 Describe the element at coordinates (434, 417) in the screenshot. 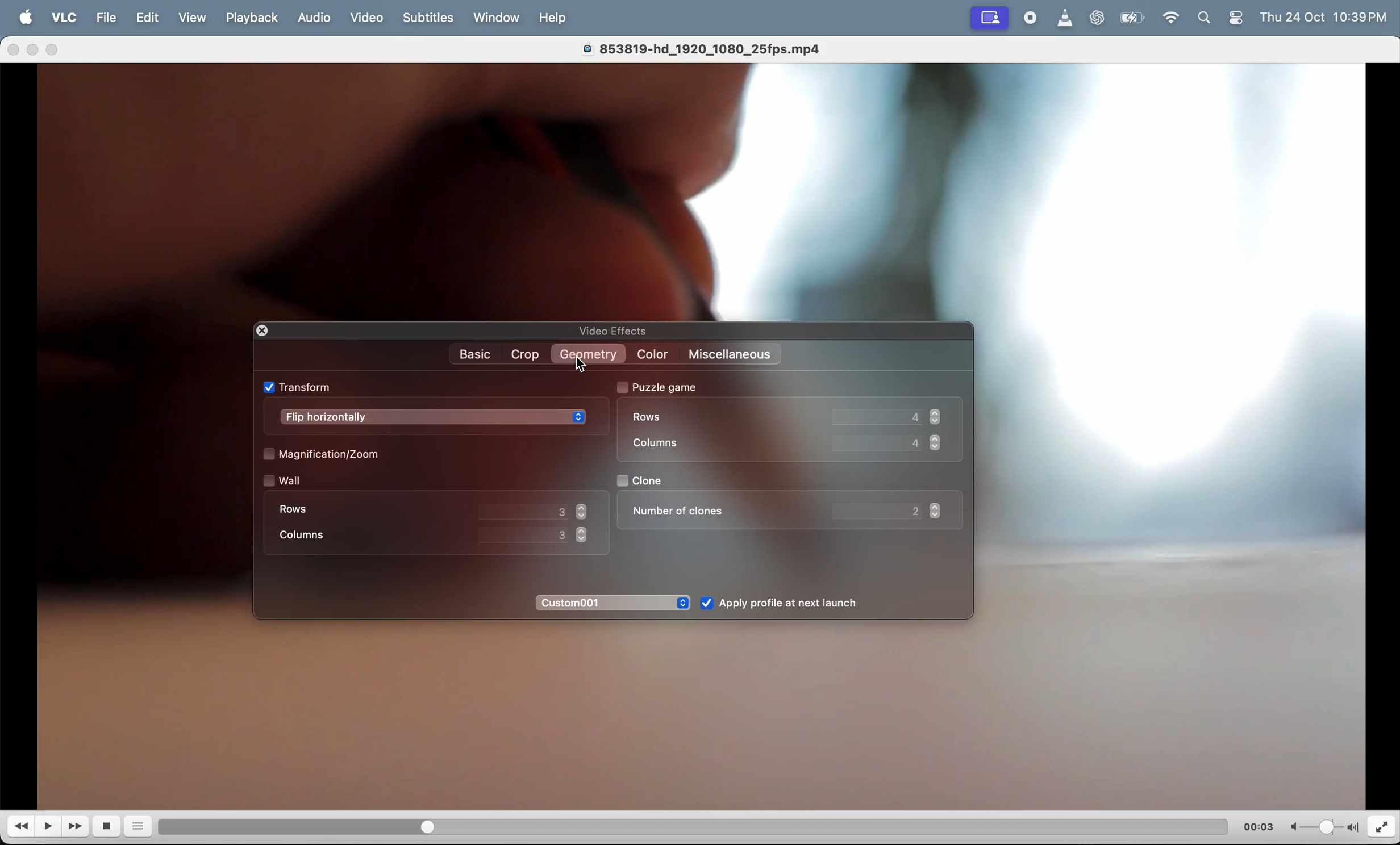

I see `flip horrizontally` at that location.